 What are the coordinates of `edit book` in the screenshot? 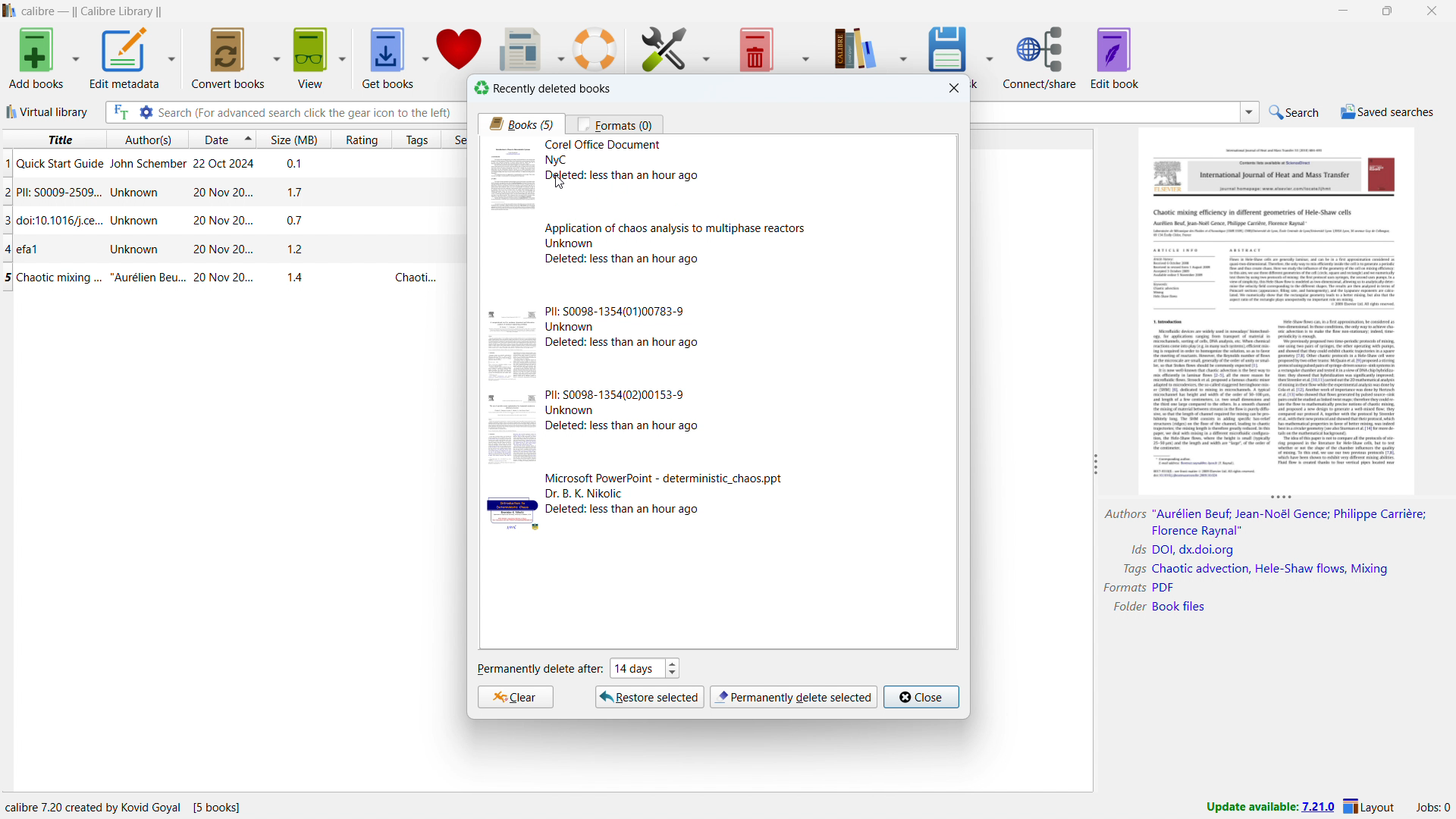 It's located at (1115, 57).